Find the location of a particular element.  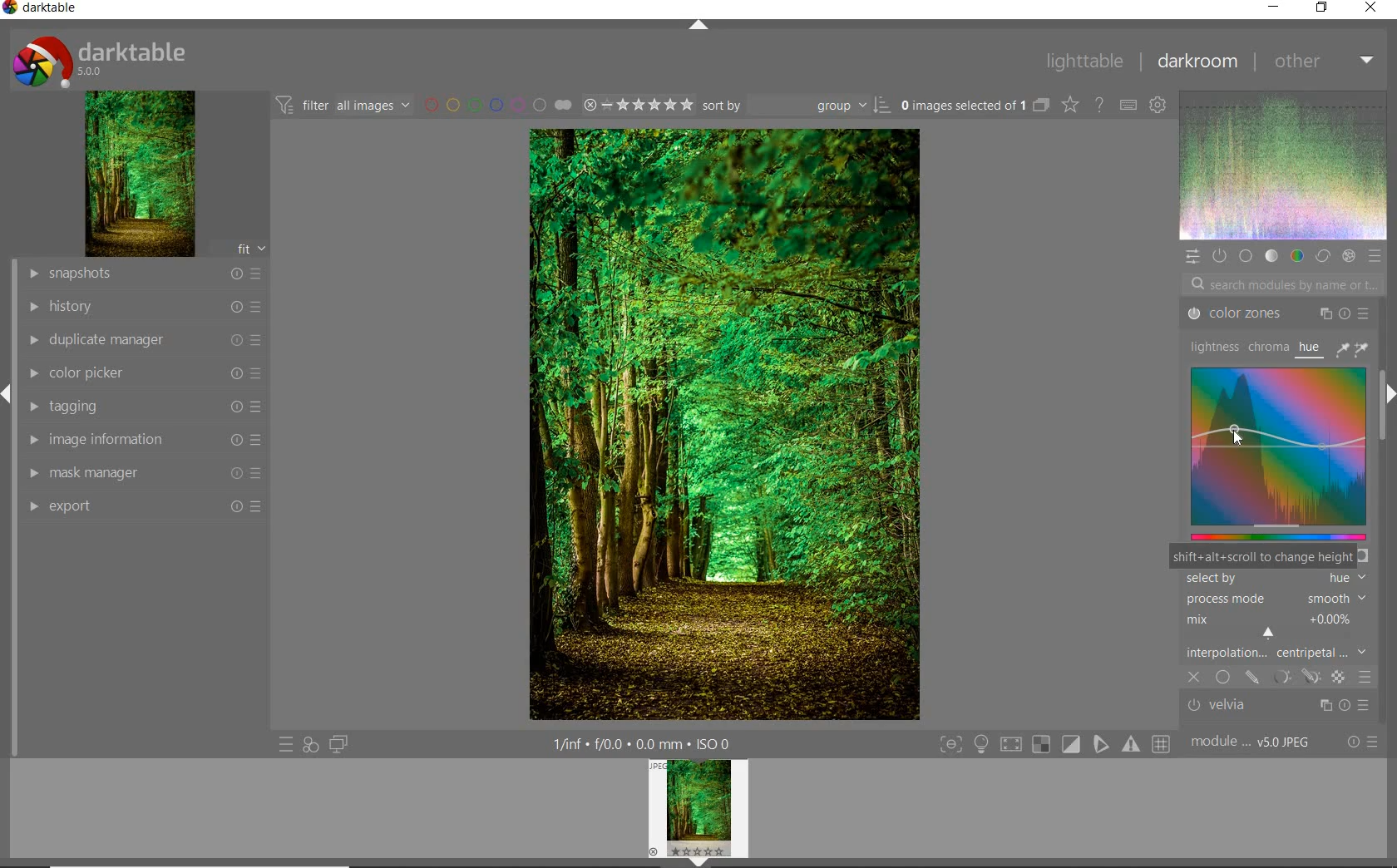

uniformly is located at coordinates (1222, 678).